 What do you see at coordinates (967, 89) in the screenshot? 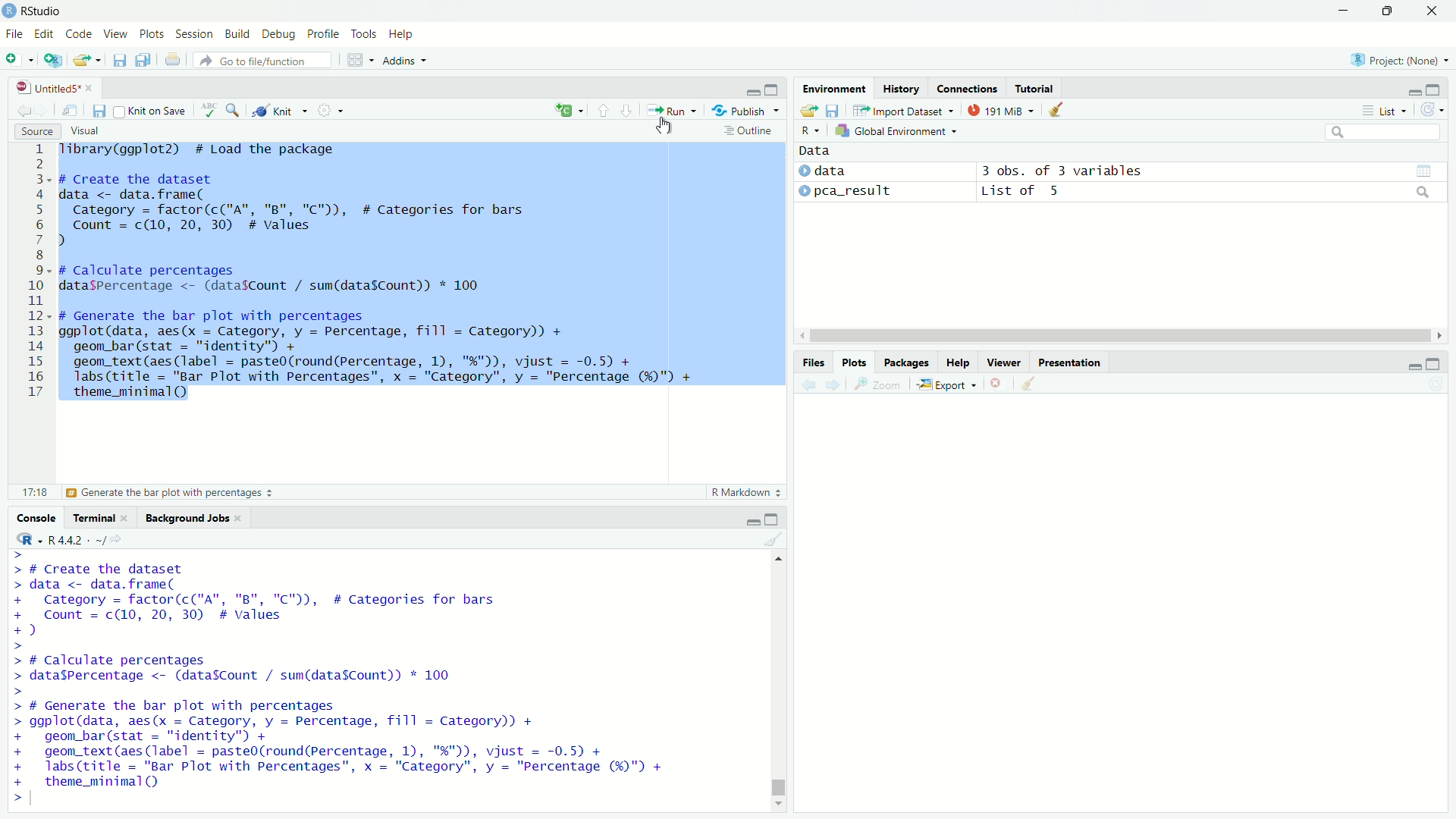
I see `connections` at bounding box center [967, 89].